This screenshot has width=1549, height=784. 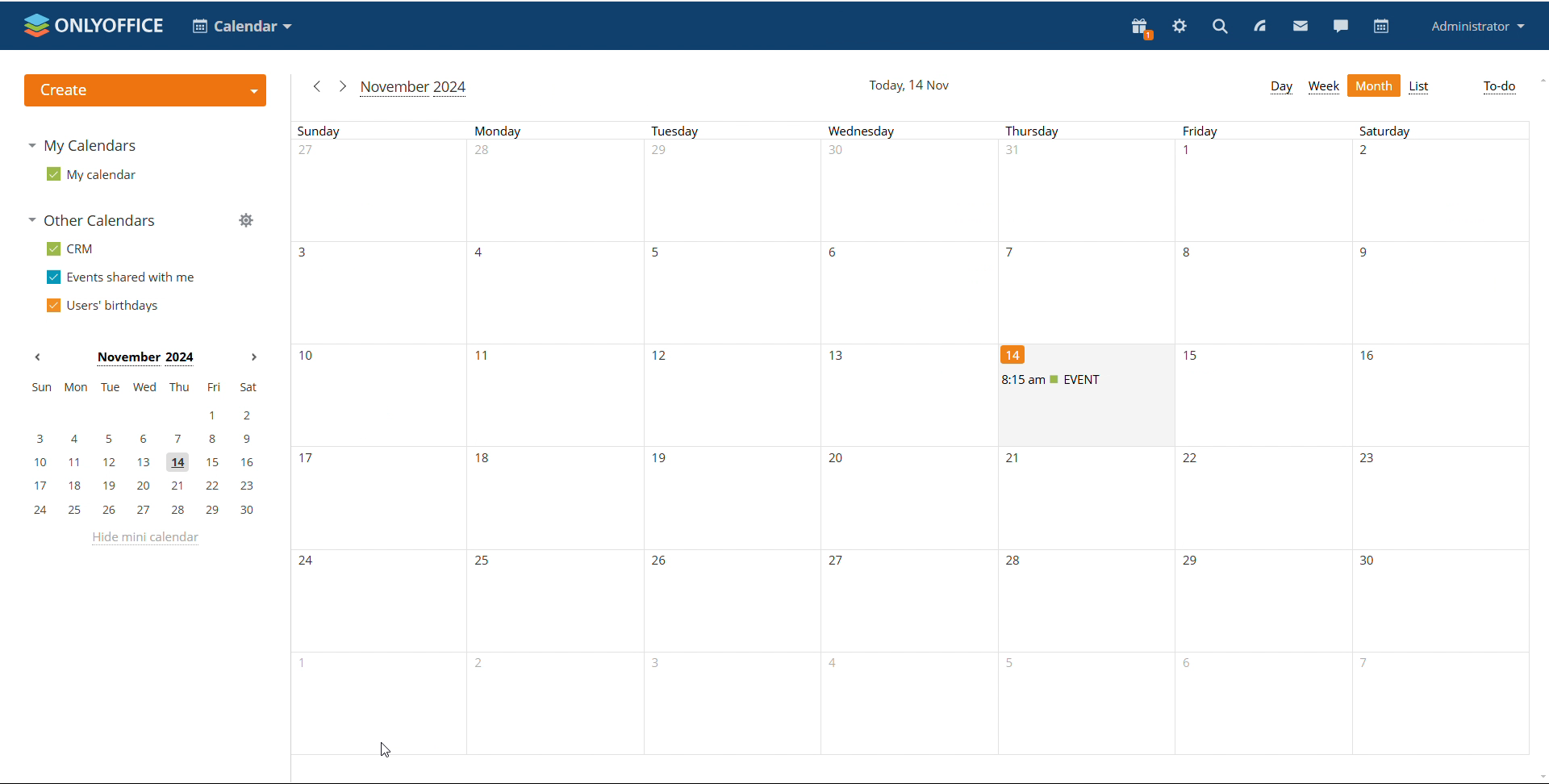 What do you see at coordinates (910, 85) in the screenshot?
I see `current date` at bounding box center [910, 85].